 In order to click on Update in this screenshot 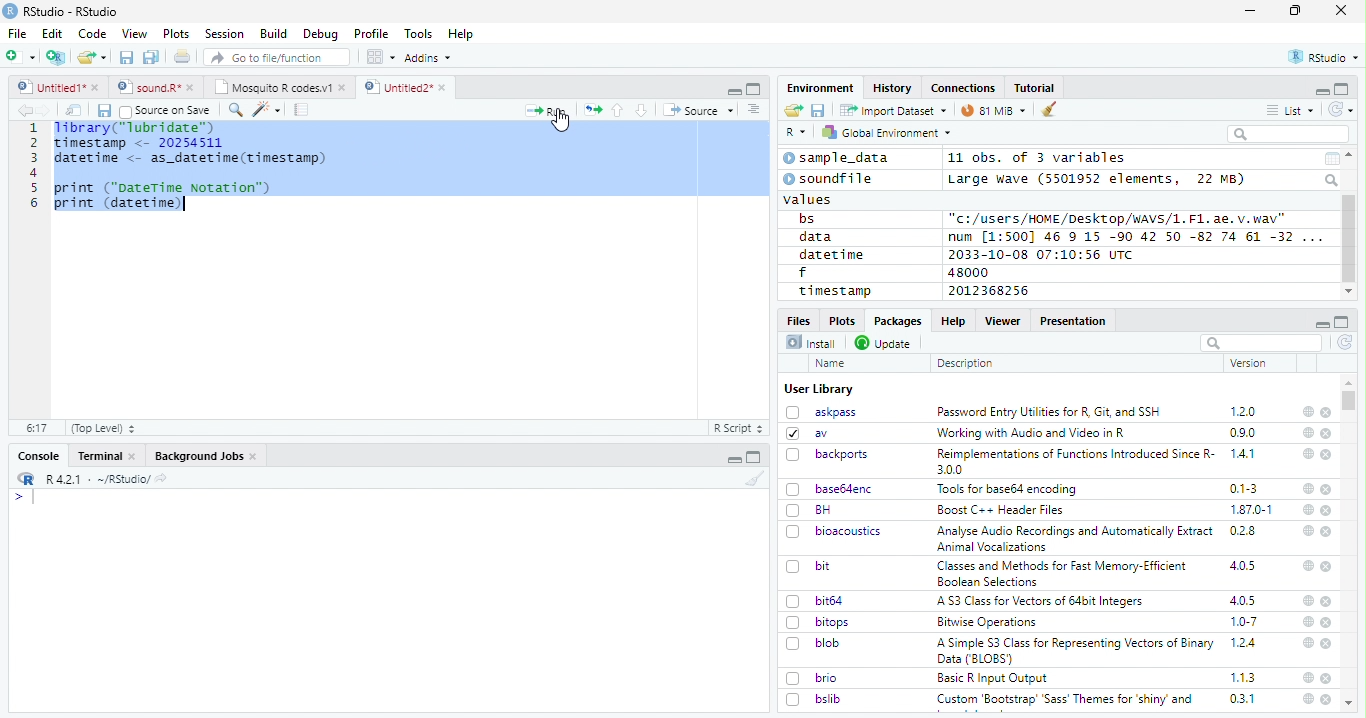, I will do `click(885, 343)`.